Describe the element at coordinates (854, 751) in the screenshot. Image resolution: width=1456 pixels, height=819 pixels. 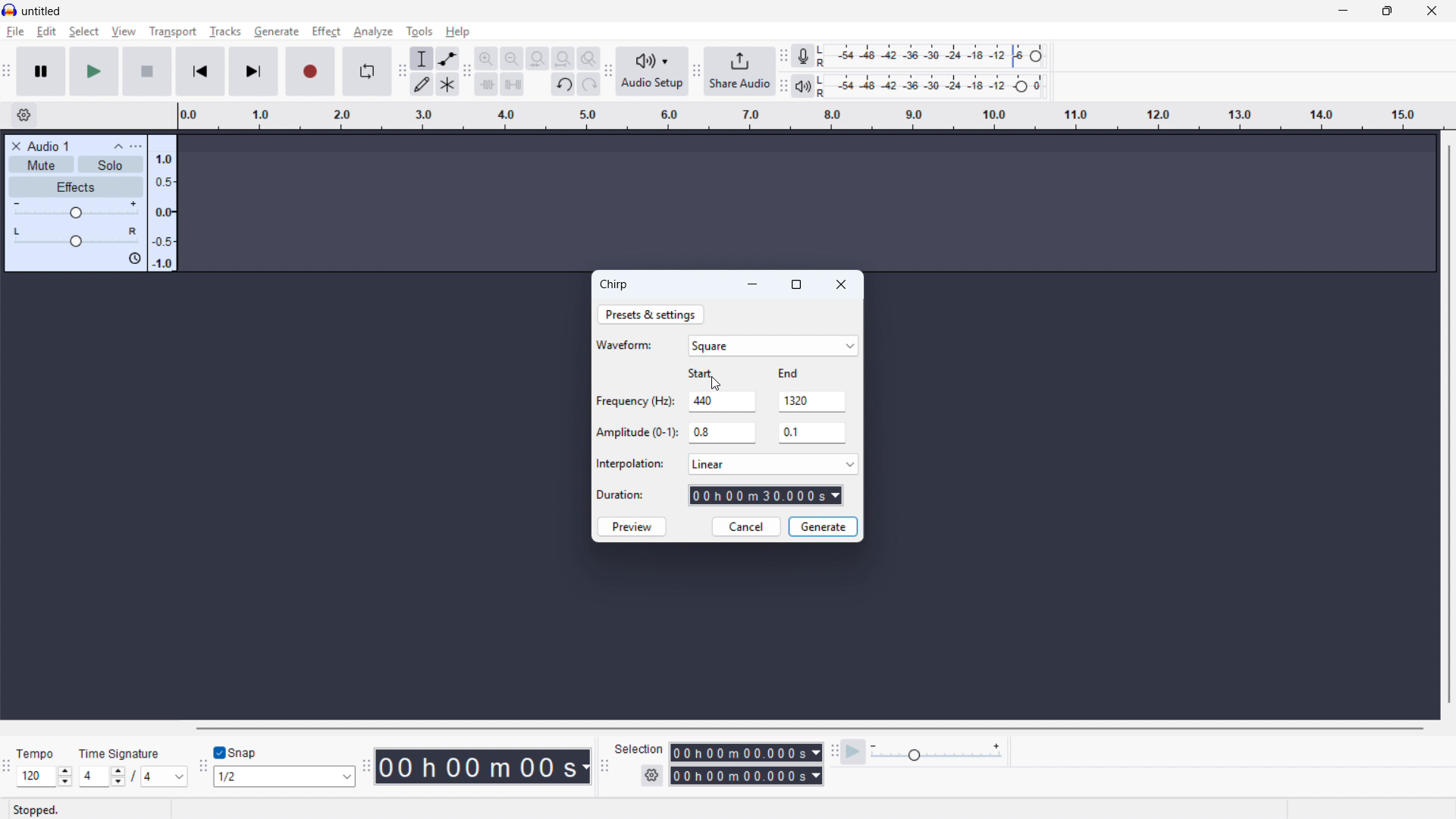
I see `Play at speed ` at that location.